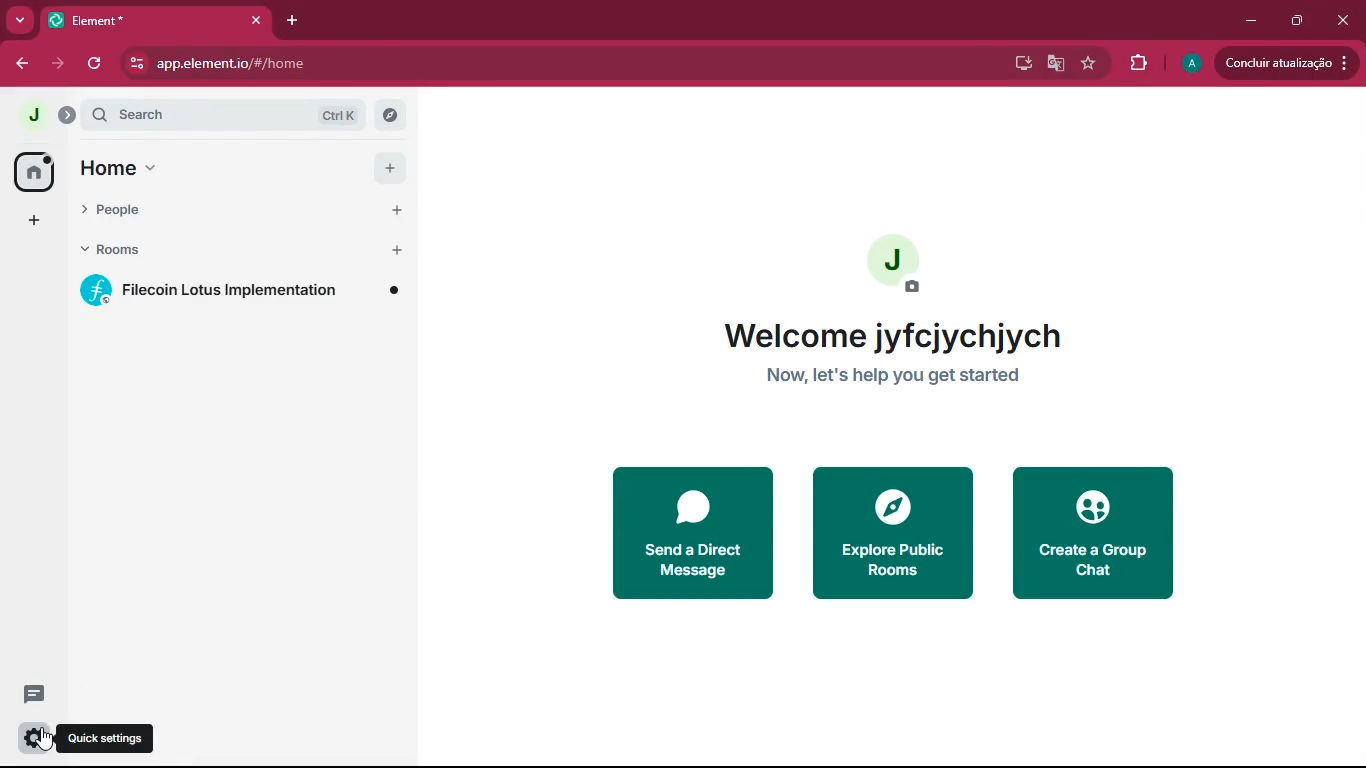 This screenshot has height=768, width=1366. Describe the element at coordinates (395, 251) in the screenshot. I see `Add` at that location.